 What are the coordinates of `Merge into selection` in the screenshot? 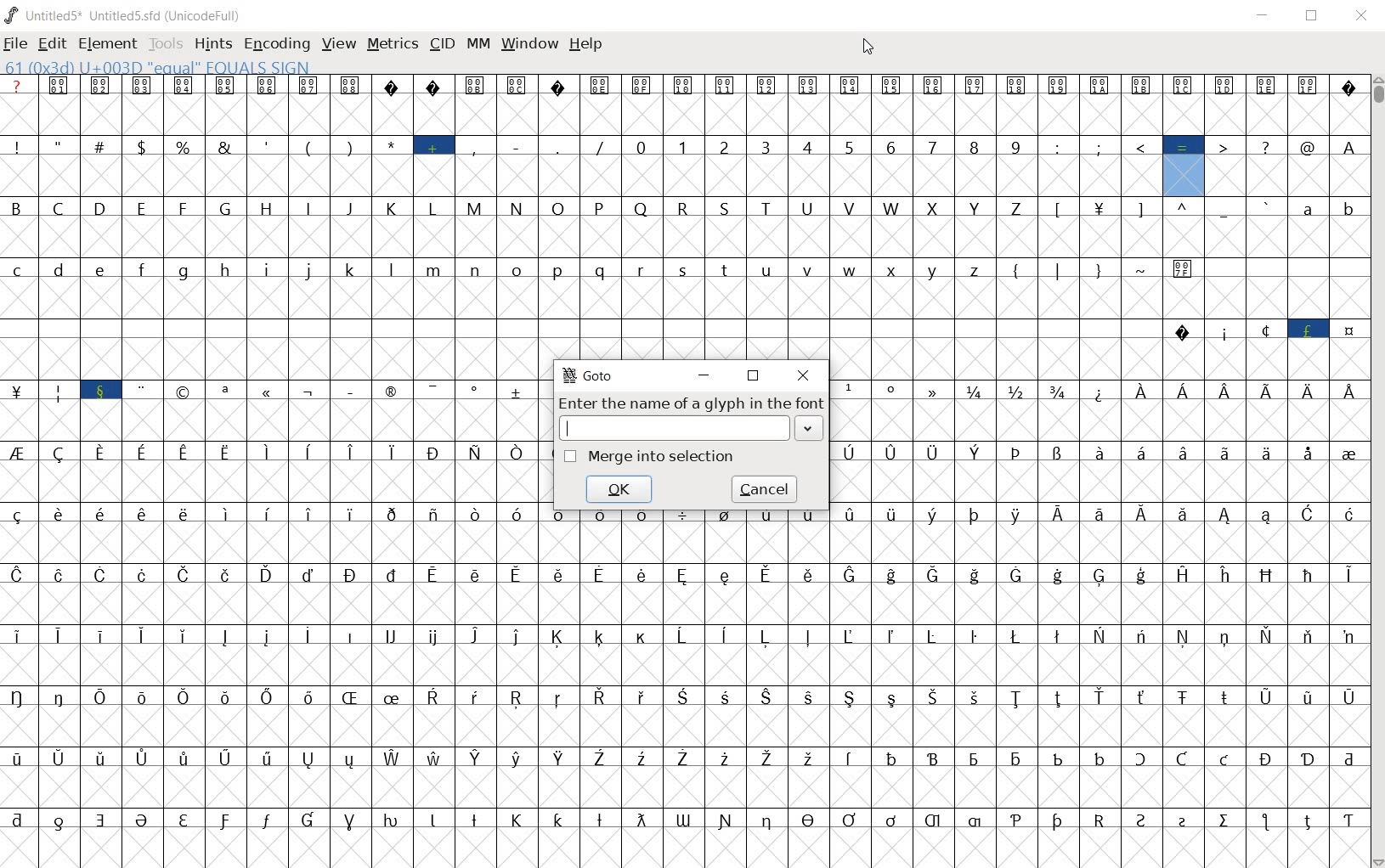 It's located at (647, 457).